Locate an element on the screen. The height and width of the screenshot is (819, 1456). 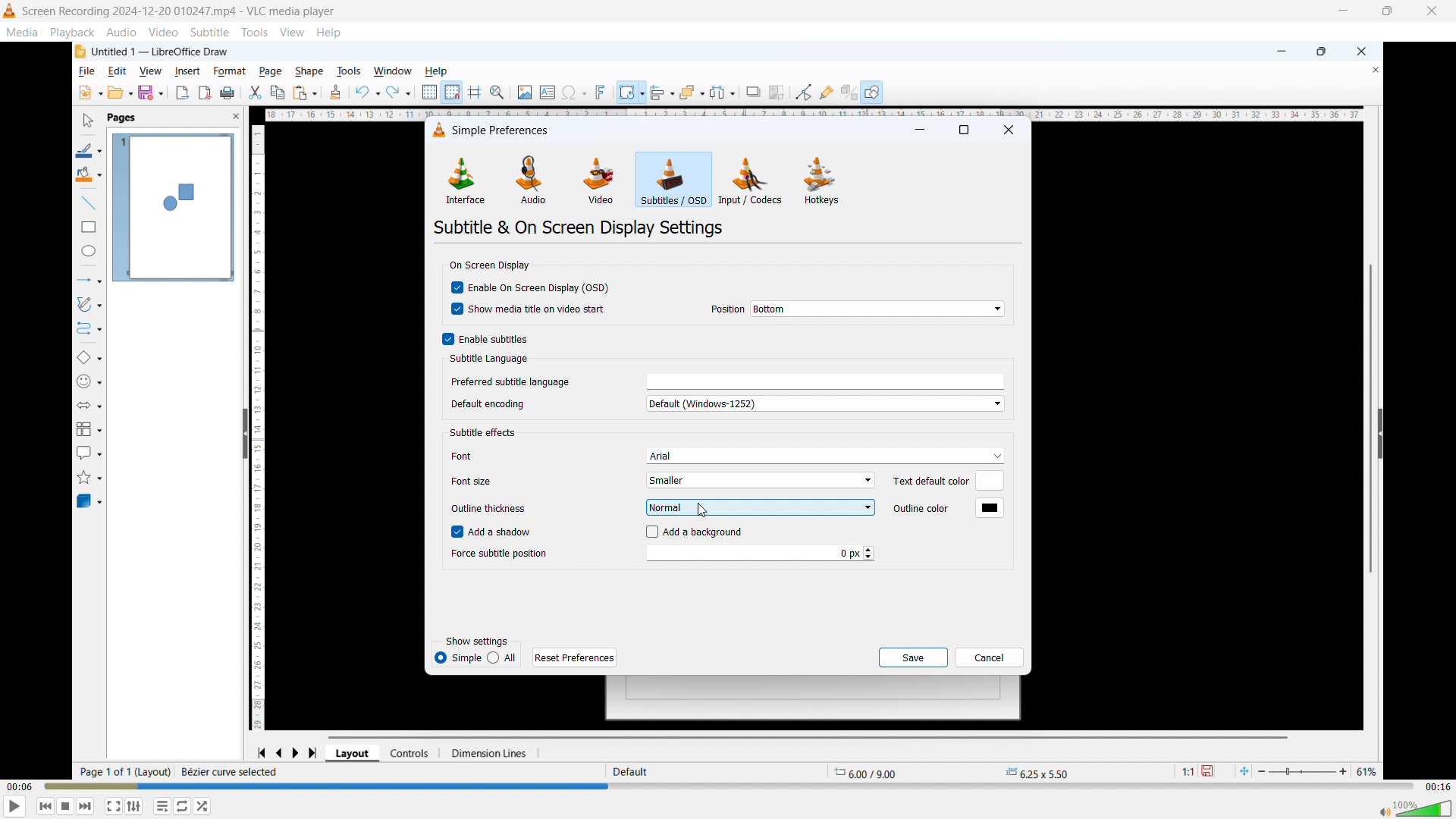
Audio  is located at coordinates (532, 180).